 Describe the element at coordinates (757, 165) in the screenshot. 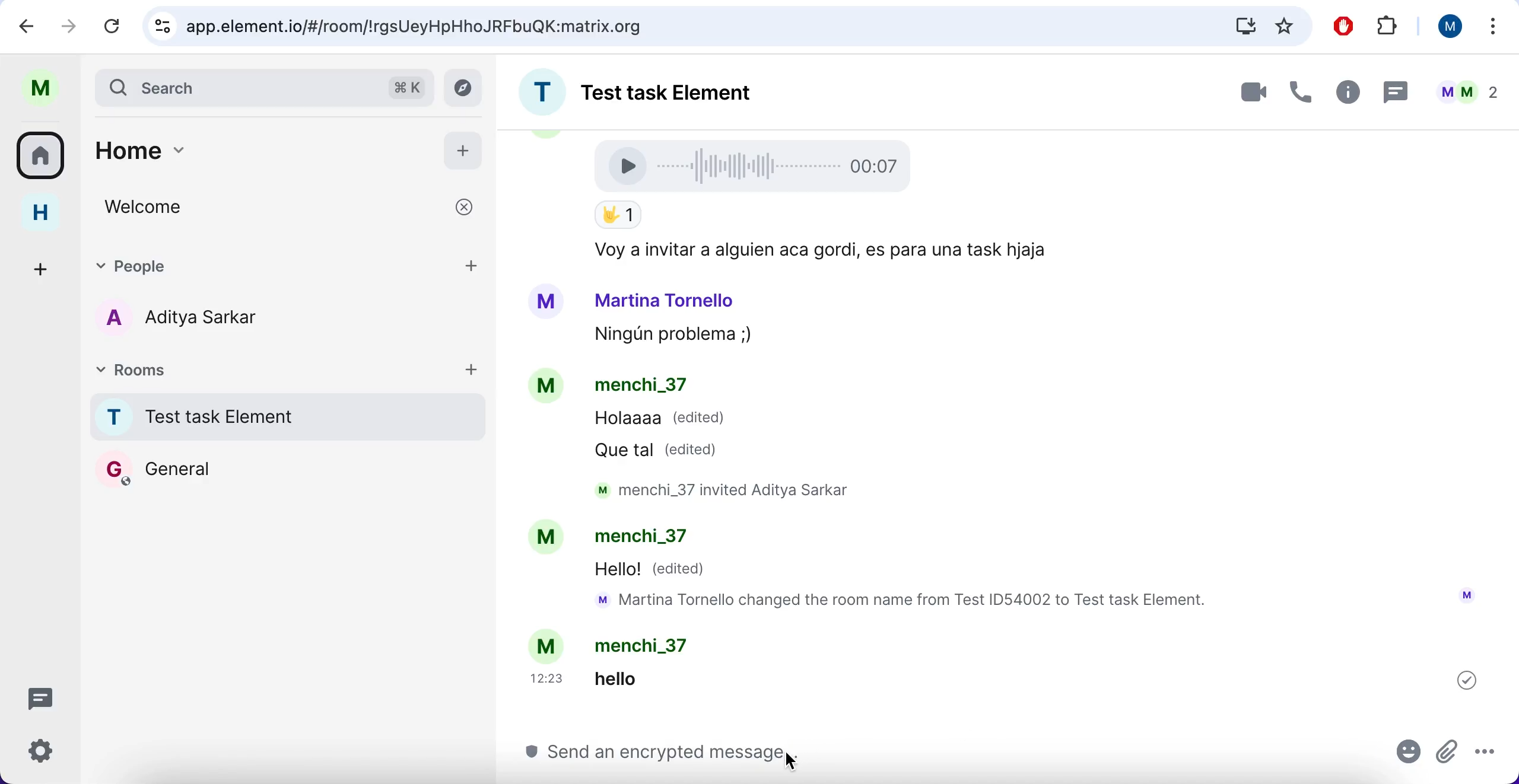

I see `Voice Recording 00:07` at that location.